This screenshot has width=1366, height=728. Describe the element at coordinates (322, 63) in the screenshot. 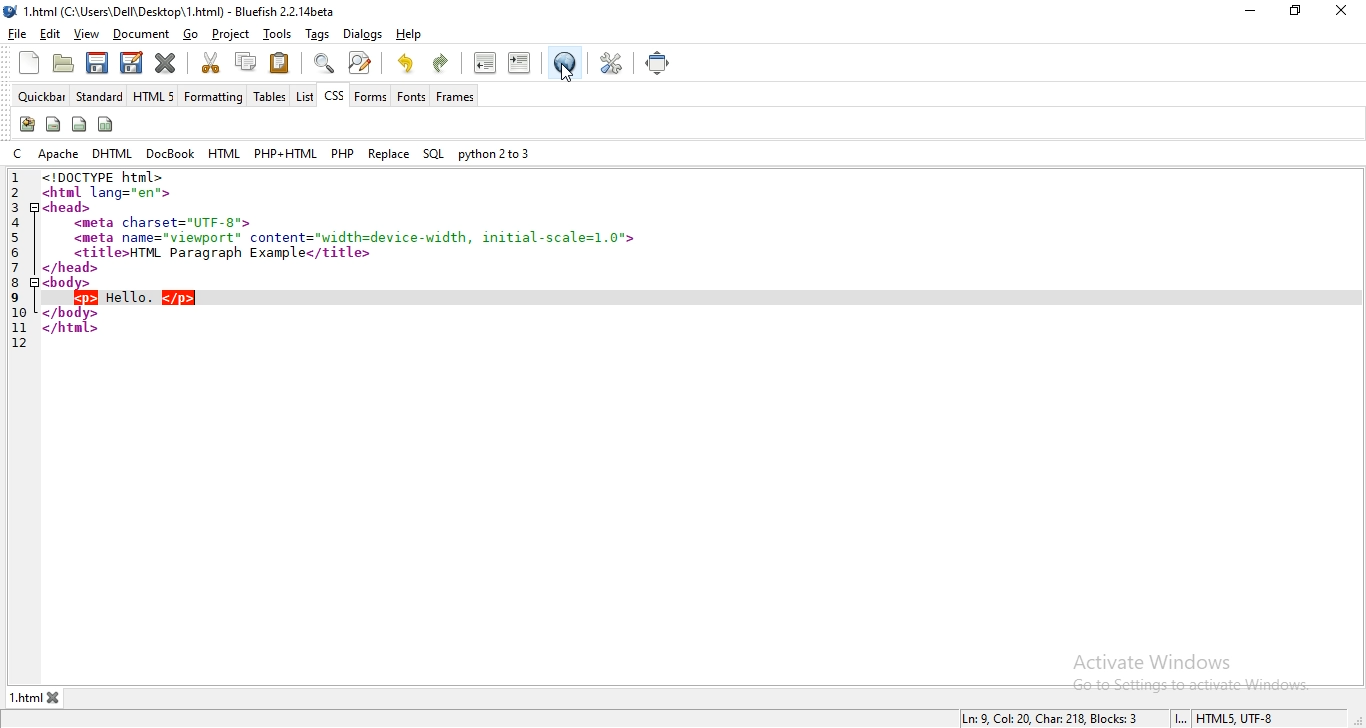

I see `show find bar` at that location.